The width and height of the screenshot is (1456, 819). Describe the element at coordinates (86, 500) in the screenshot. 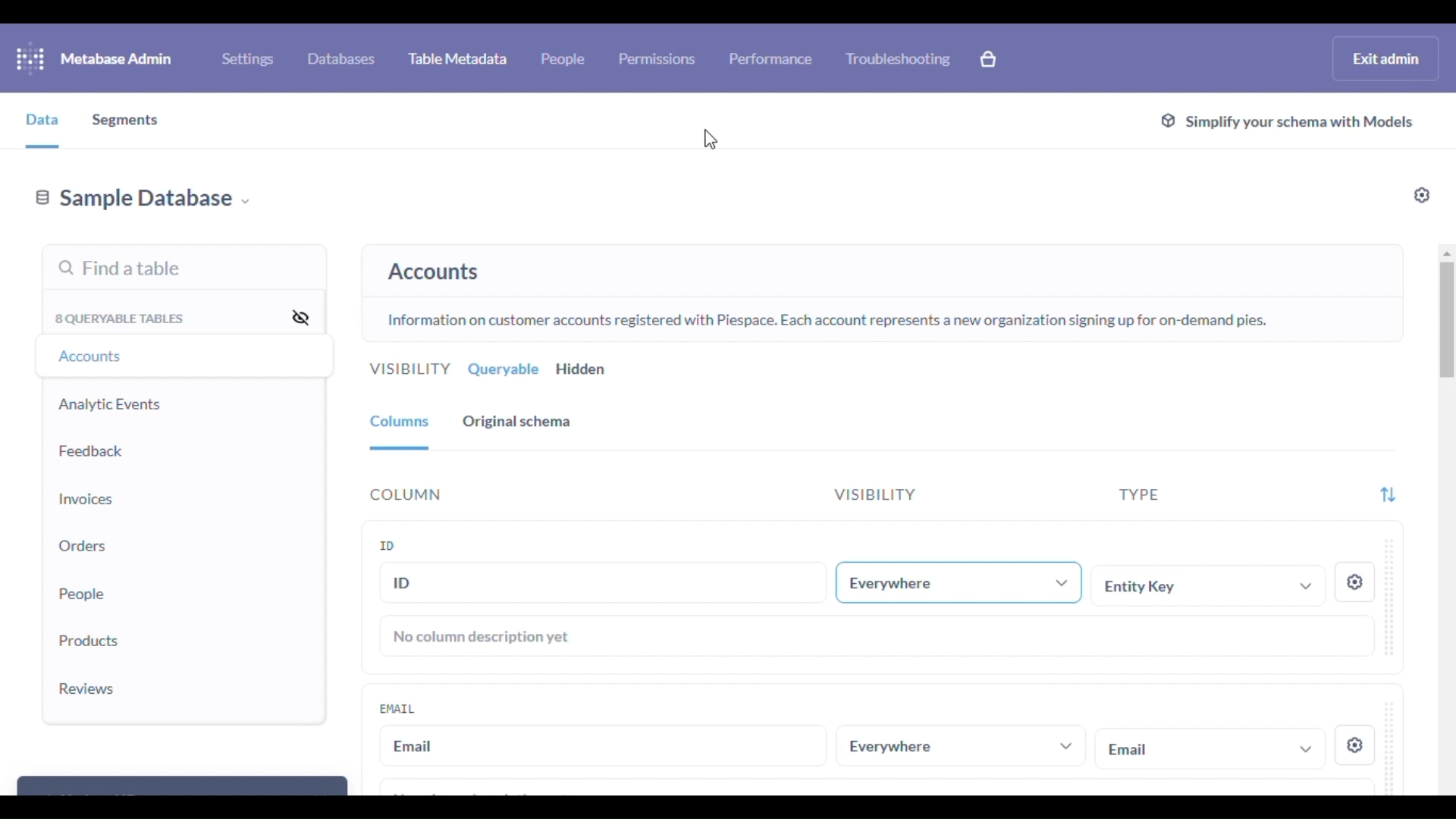

I see `invoices` at that location.